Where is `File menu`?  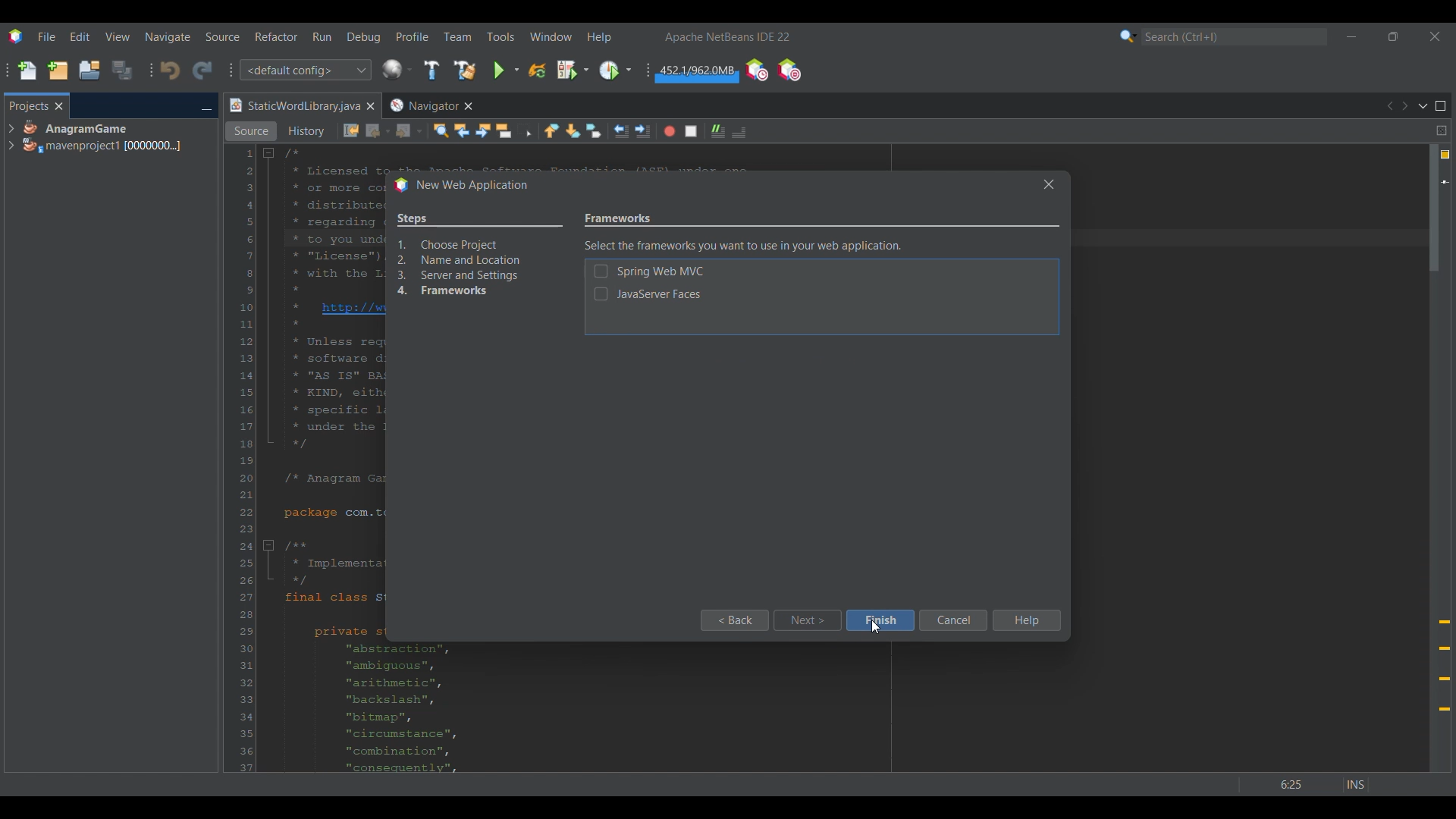 File menu is located at coordinates (46, 36).